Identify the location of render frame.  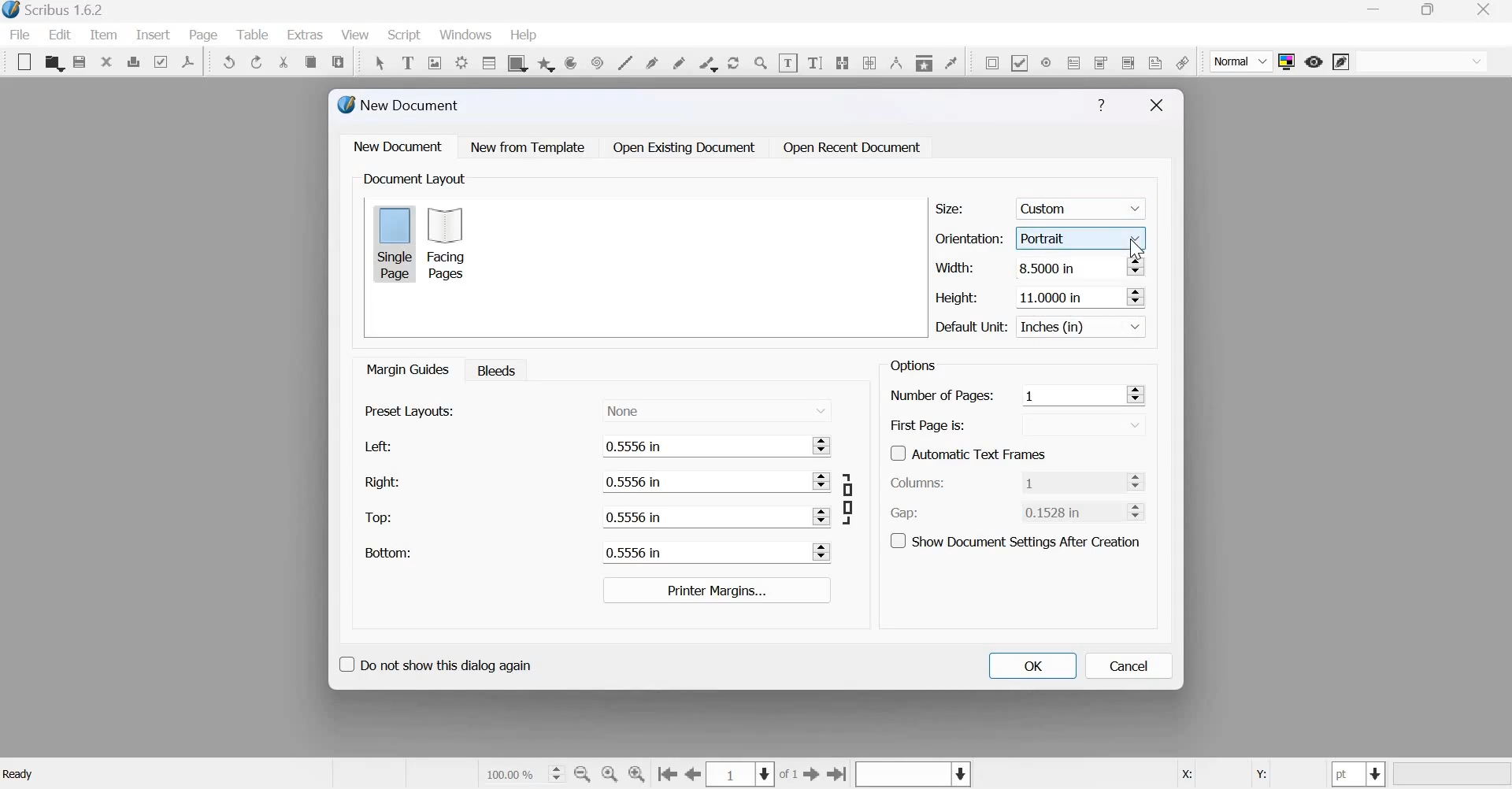
(461, 61).